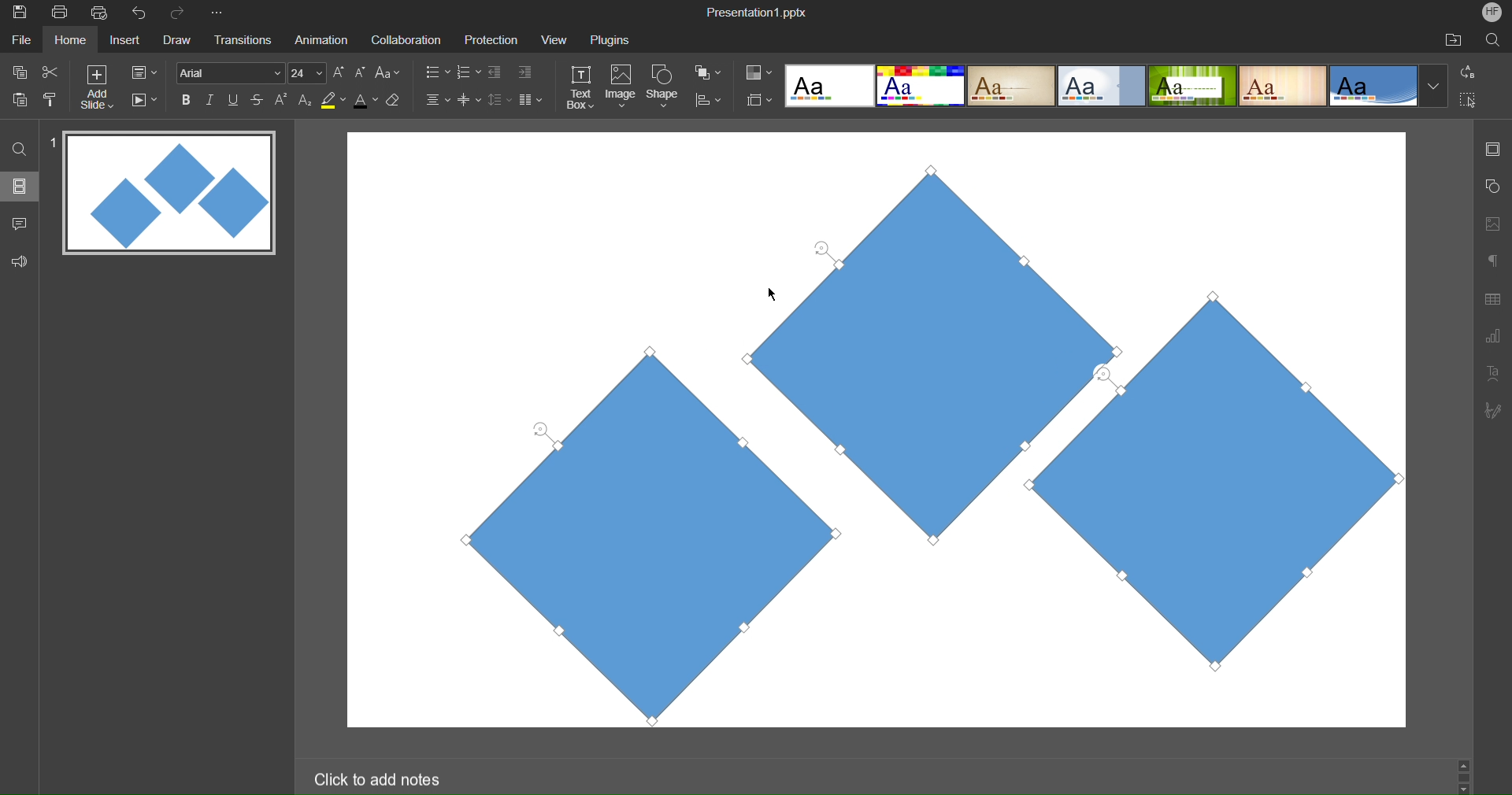 Image resolution: width=1512 pixels, height=795 pixels. What do you see at coordinates (165, 194) in the screenshot?
I see `slide 1` at bounding box center [165, 194].